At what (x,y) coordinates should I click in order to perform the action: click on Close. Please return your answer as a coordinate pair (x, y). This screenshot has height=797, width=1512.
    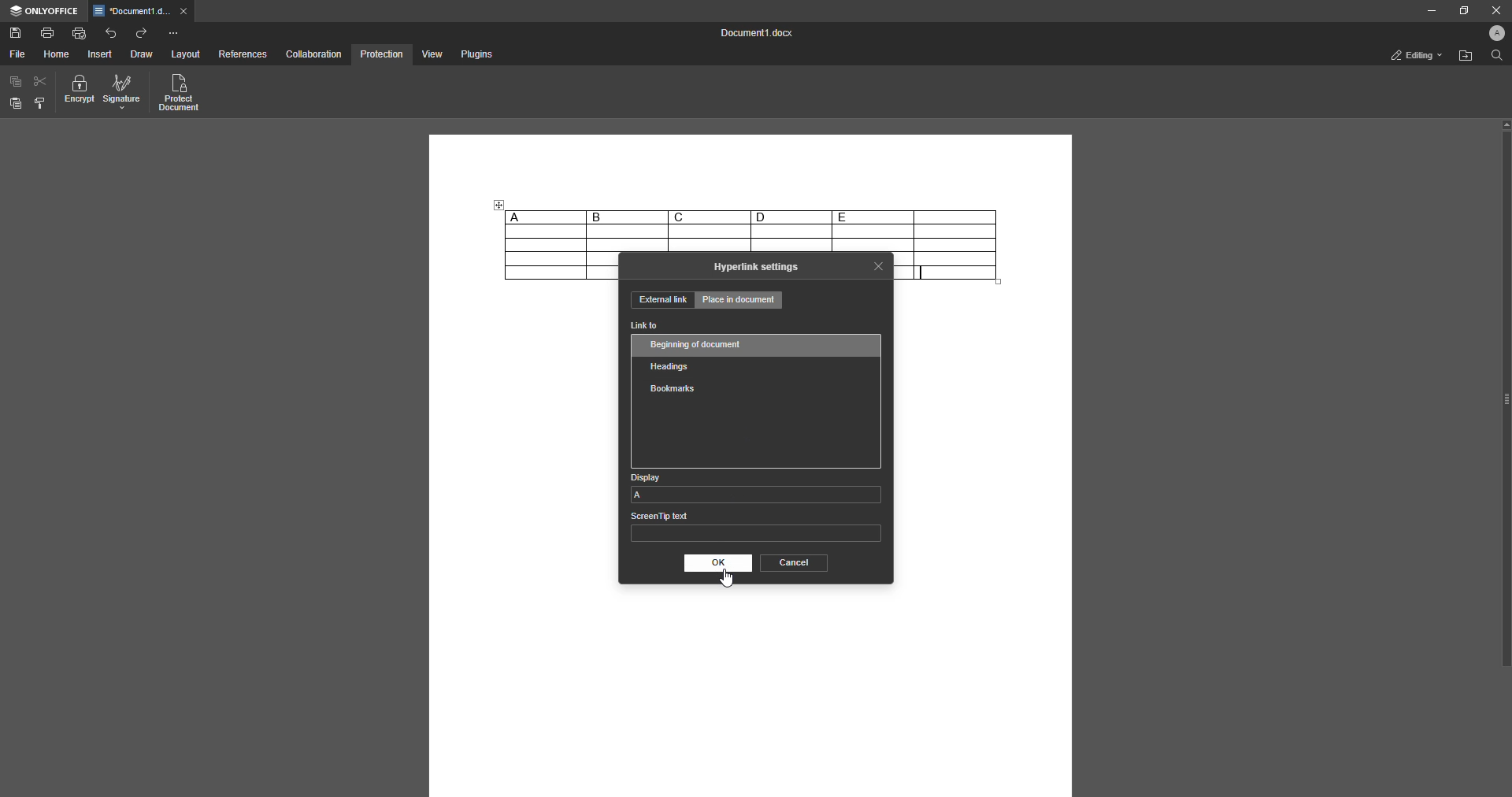
    Looking at the image, I should click on (1493, 10).